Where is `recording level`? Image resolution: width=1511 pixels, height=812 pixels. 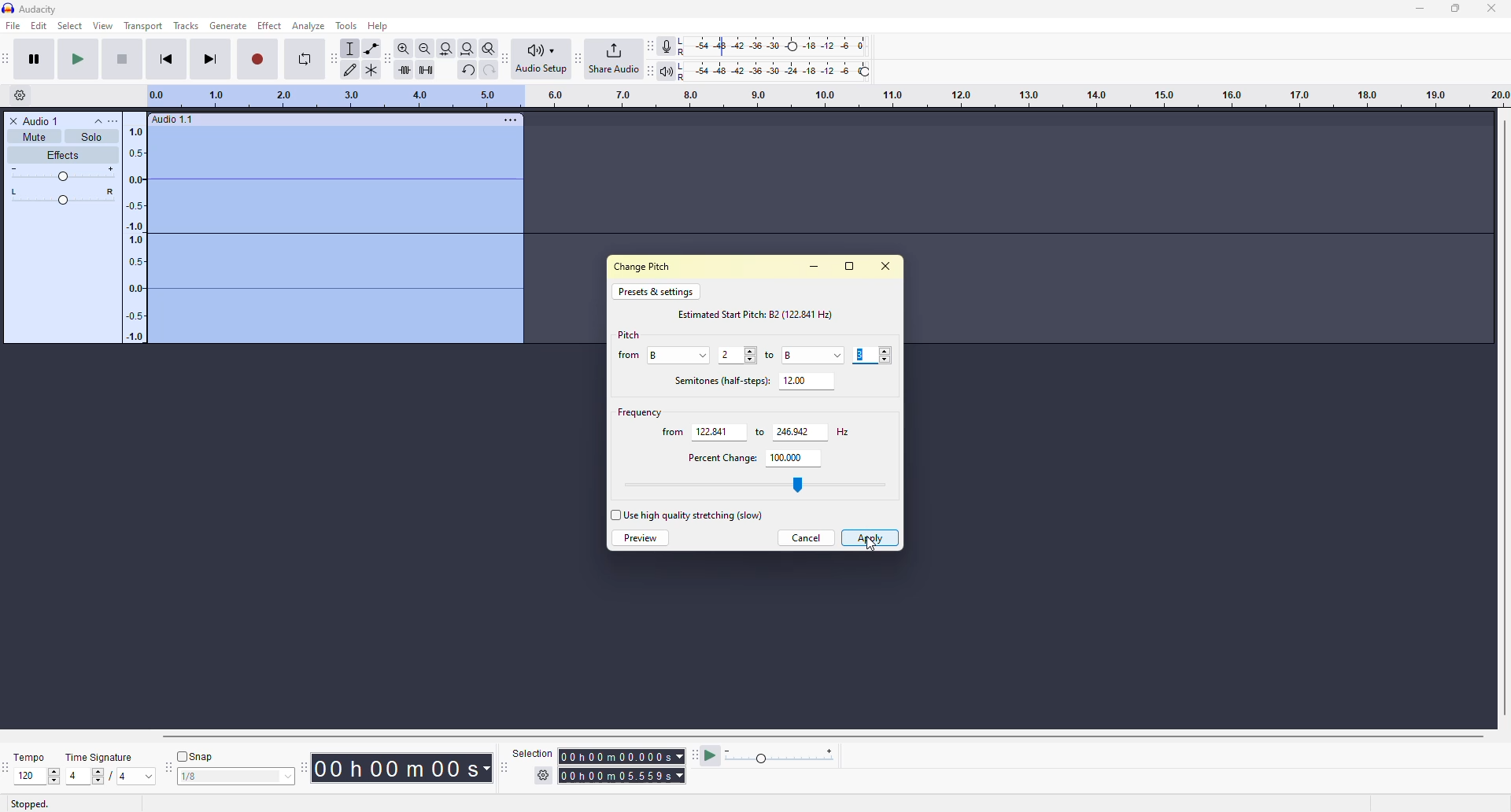
recording level is located at coordinates (774, 46).